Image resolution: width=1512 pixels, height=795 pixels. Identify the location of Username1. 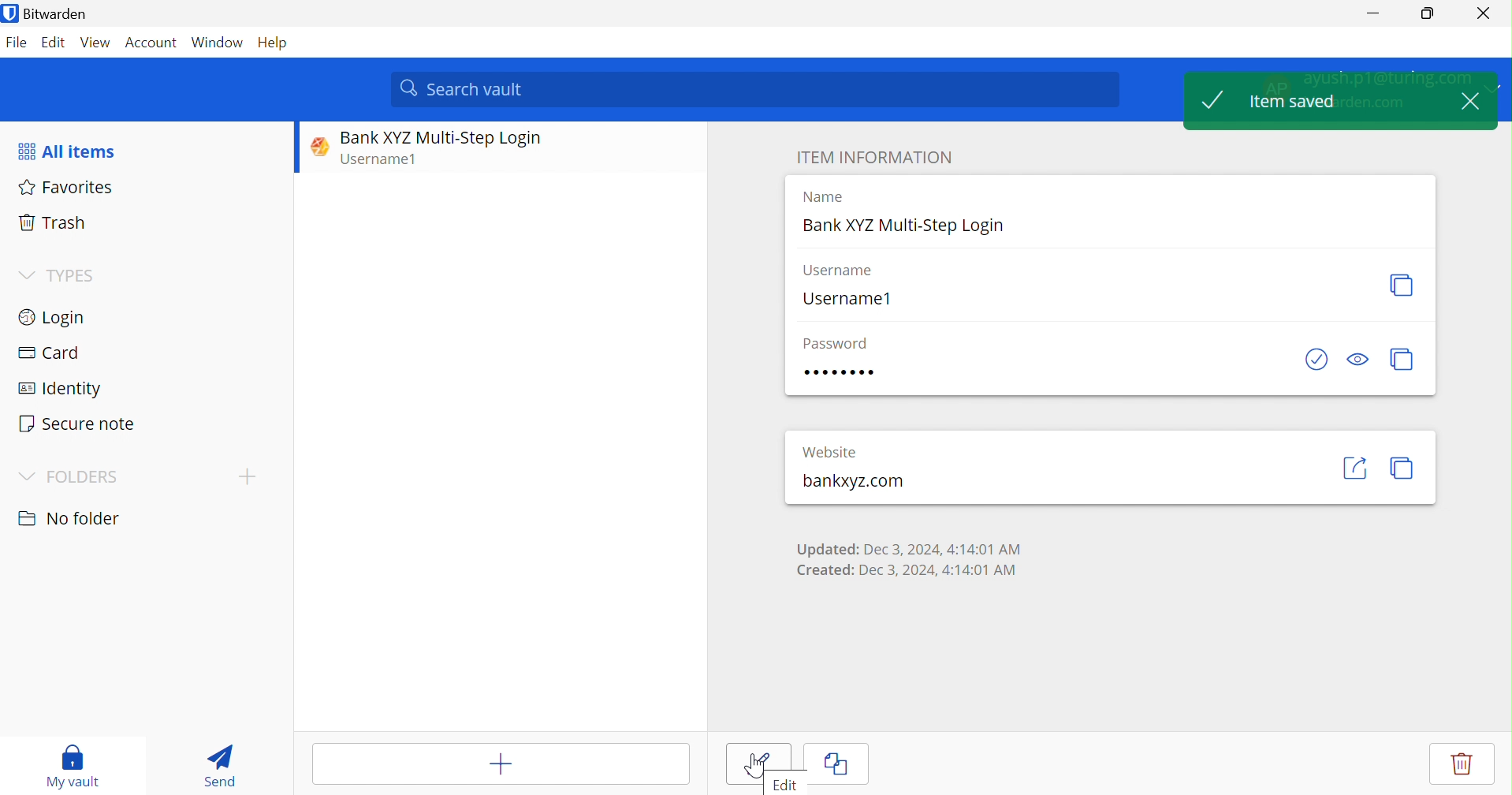
(386, 161).